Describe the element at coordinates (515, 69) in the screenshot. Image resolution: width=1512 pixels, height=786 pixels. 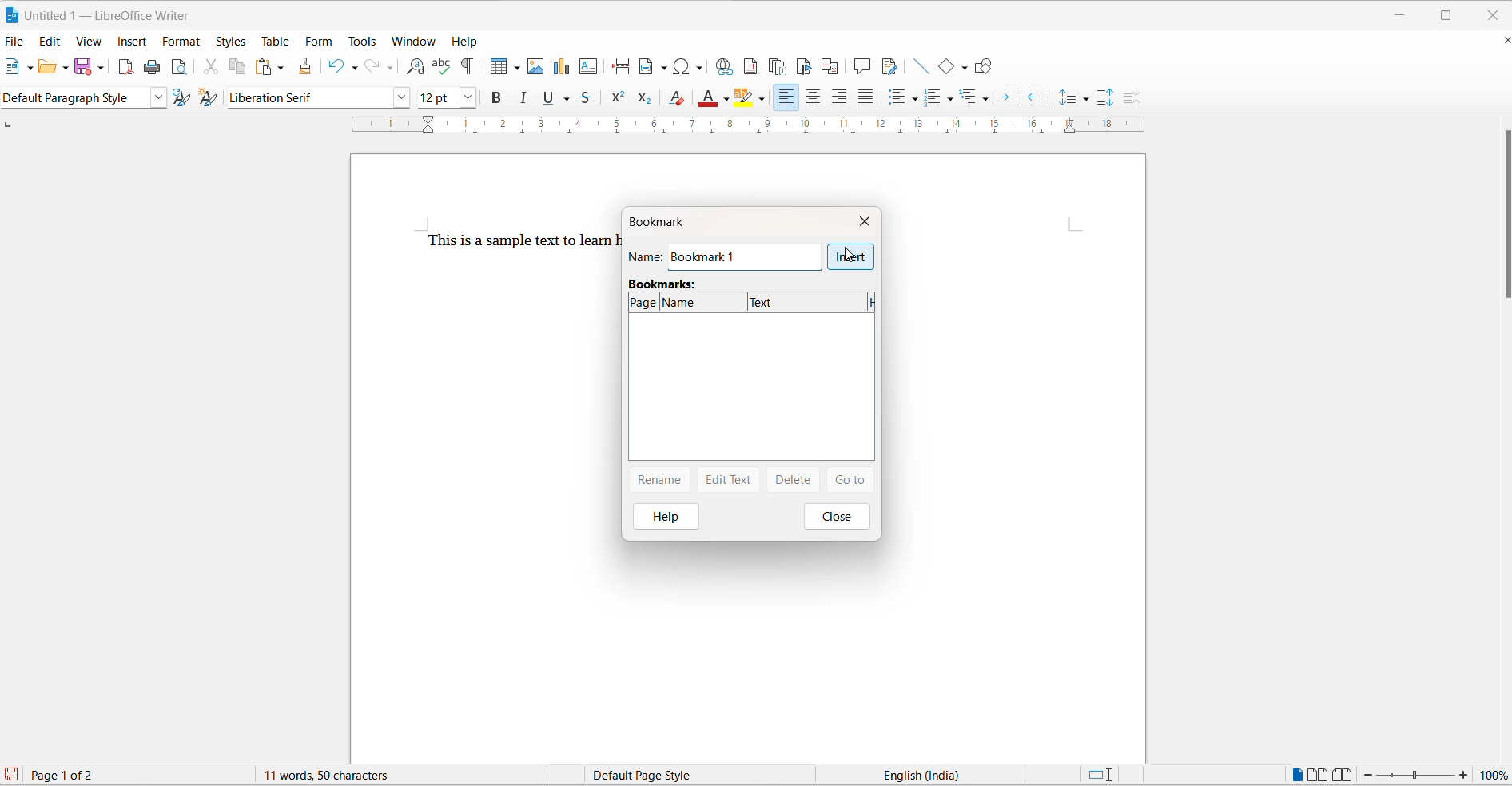
I see `table grid` at that location.